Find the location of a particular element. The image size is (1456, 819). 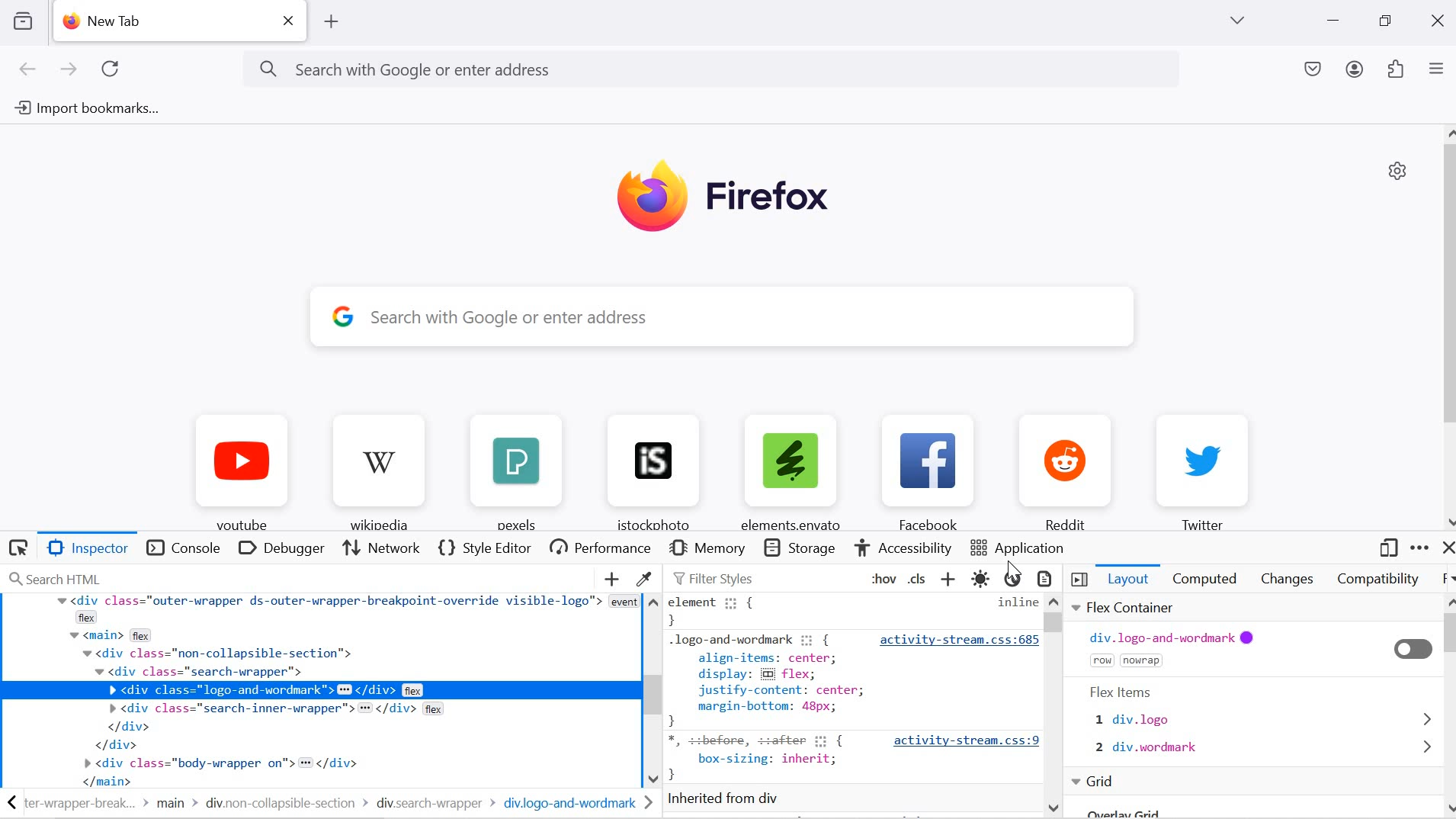

div class="outer-wrapper ds-outer-wrapper-breakpoint-override visible-logo"> eventflexv <main> flexw  <div class="non-collapsible-section">w <div class="search-urapper">»  <div class="search-inner-wrapper"> =  </div> flex</div></div>» <div class="body-wrapper on"> = </div>Tr is located at coordinates (343, 689).